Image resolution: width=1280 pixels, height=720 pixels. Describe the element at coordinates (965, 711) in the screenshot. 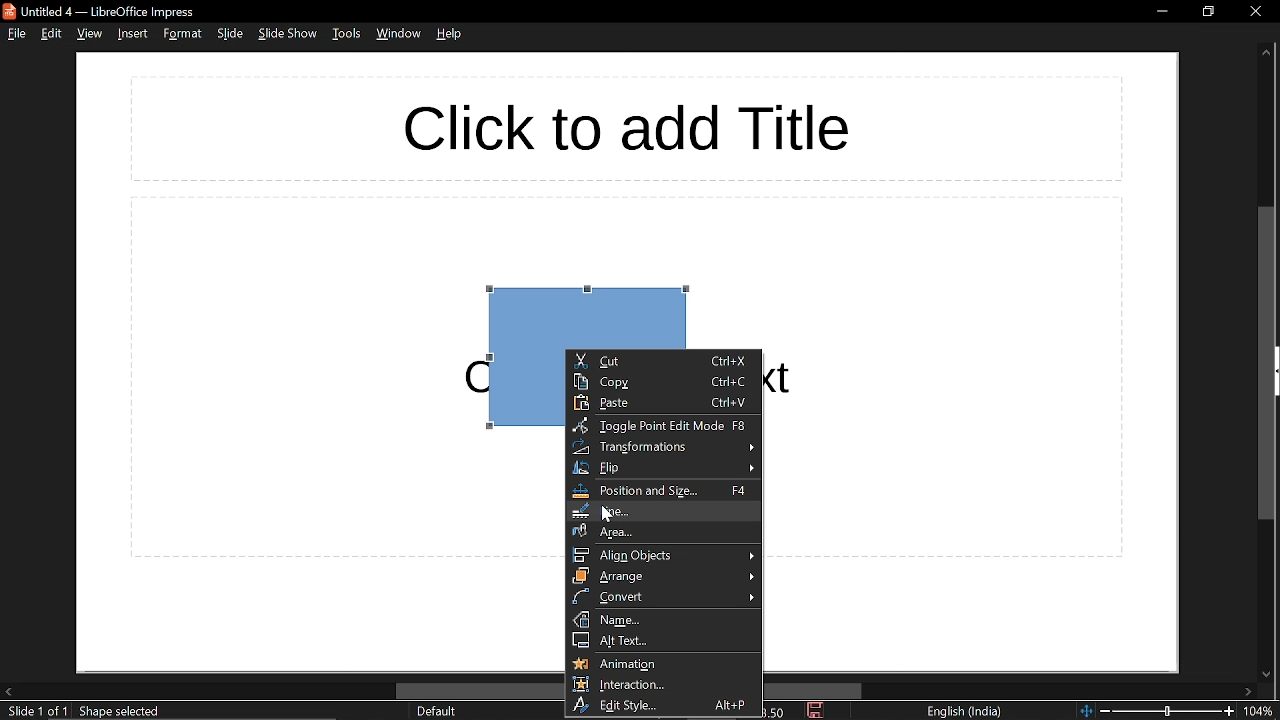

I see `language` at that location.